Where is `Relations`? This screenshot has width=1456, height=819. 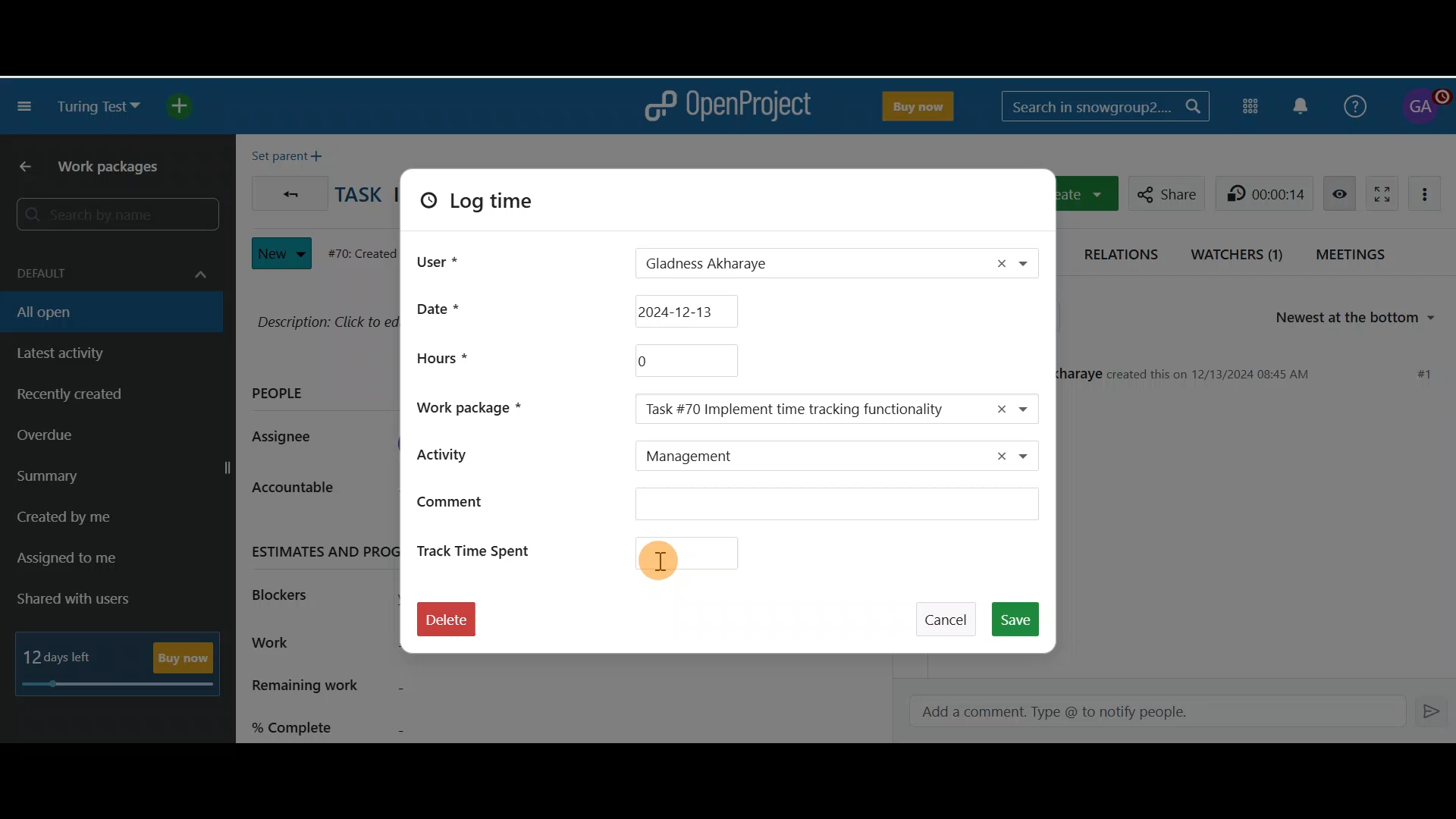 Relations is located at coordinates (1125, 252).